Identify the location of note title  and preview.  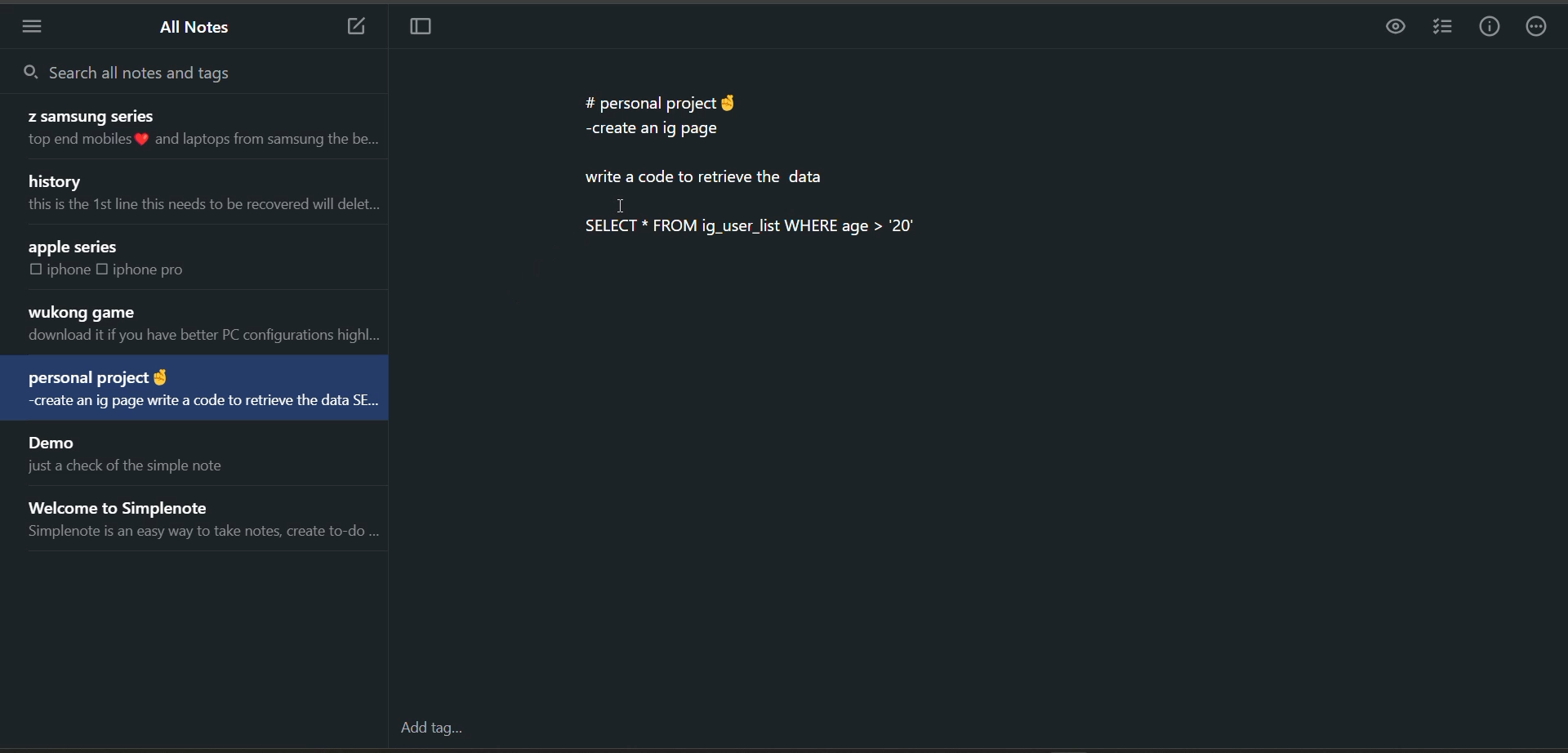
(194, 390).